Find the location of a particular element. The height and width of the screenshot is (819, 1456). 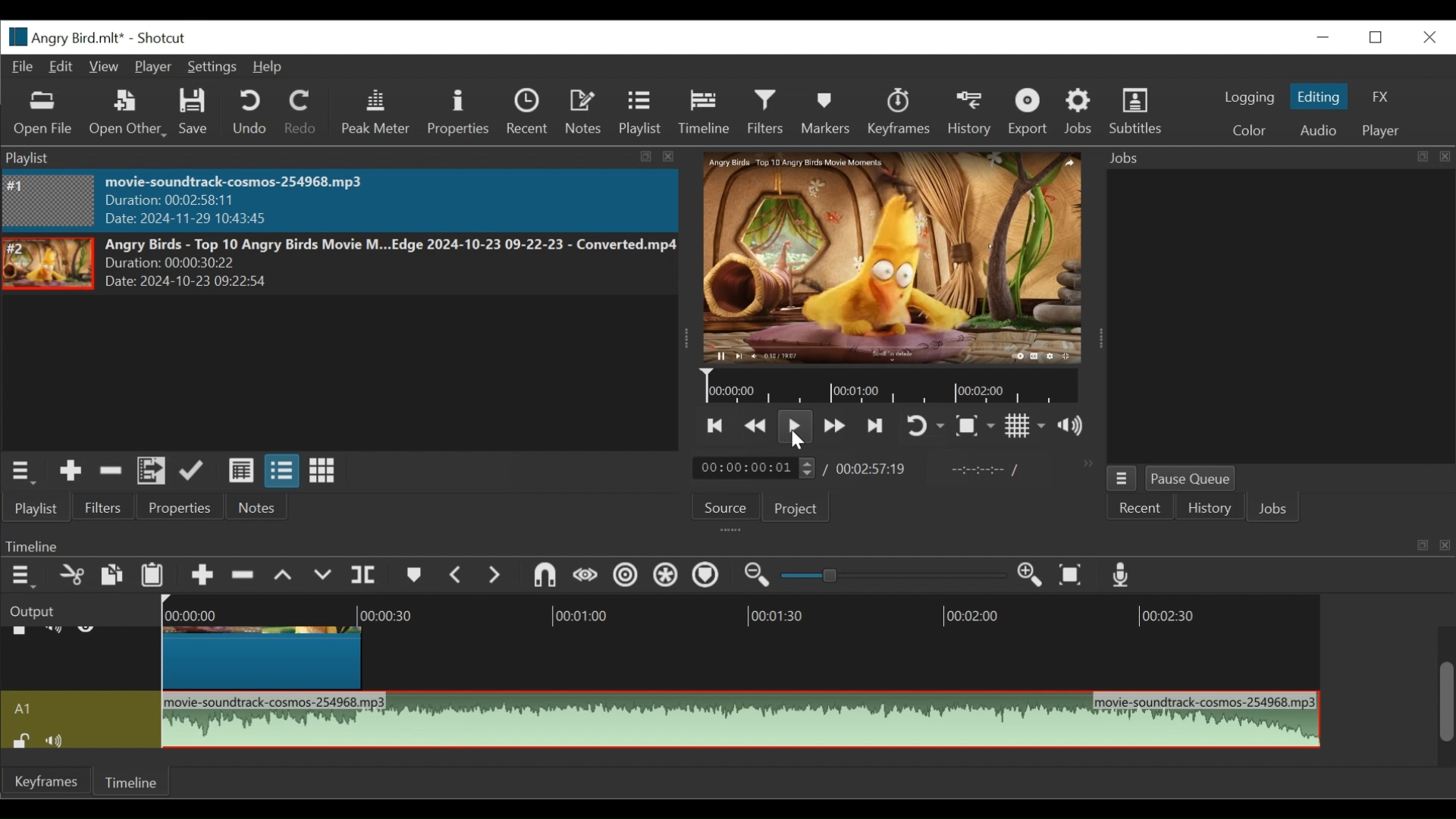

mute is located at coordinates (60, 739).